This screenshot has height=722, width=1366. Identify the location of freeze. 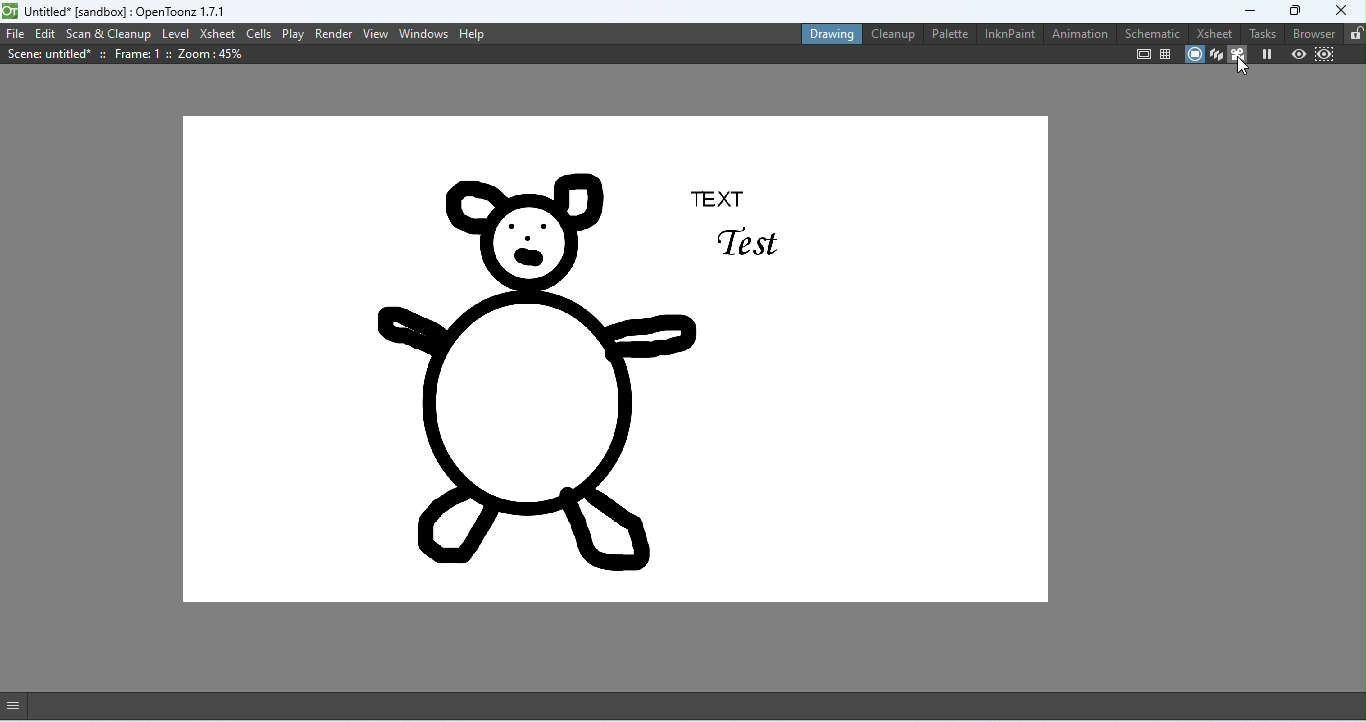
(1267, 55).